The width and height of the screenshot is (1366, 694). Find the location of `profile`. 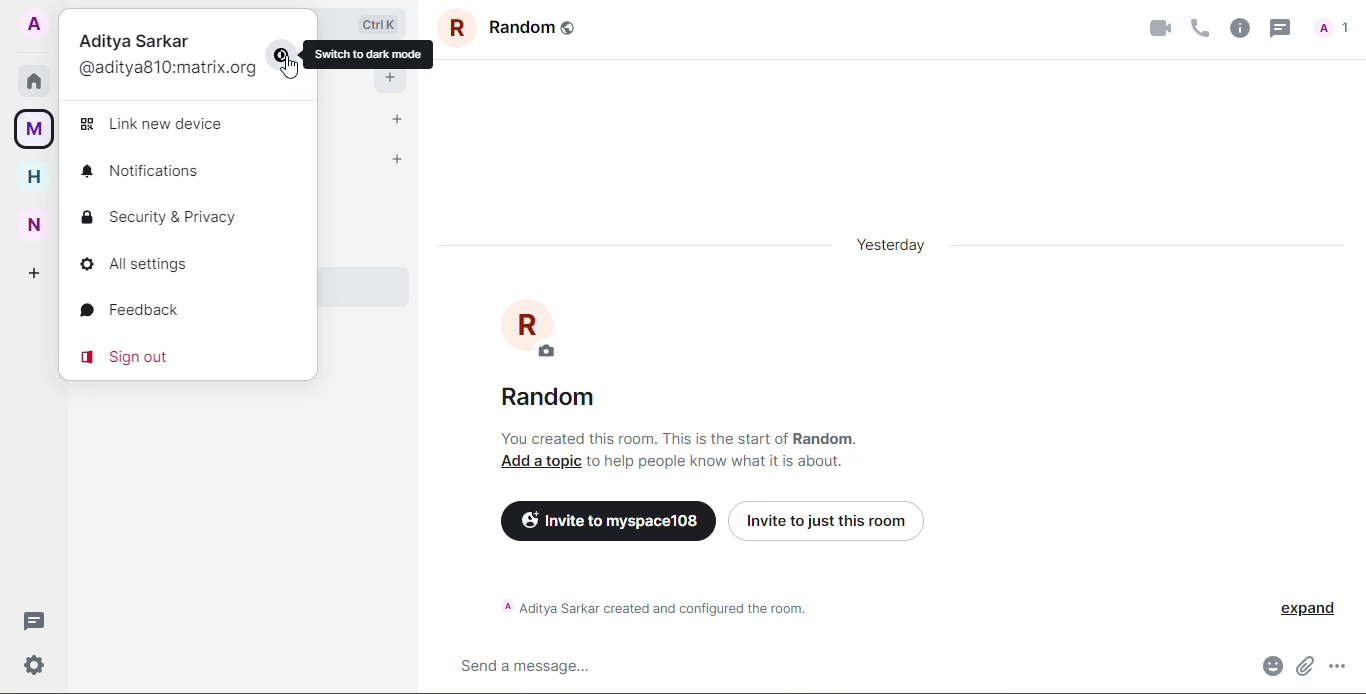

profile is located at coordinates (533, 328).